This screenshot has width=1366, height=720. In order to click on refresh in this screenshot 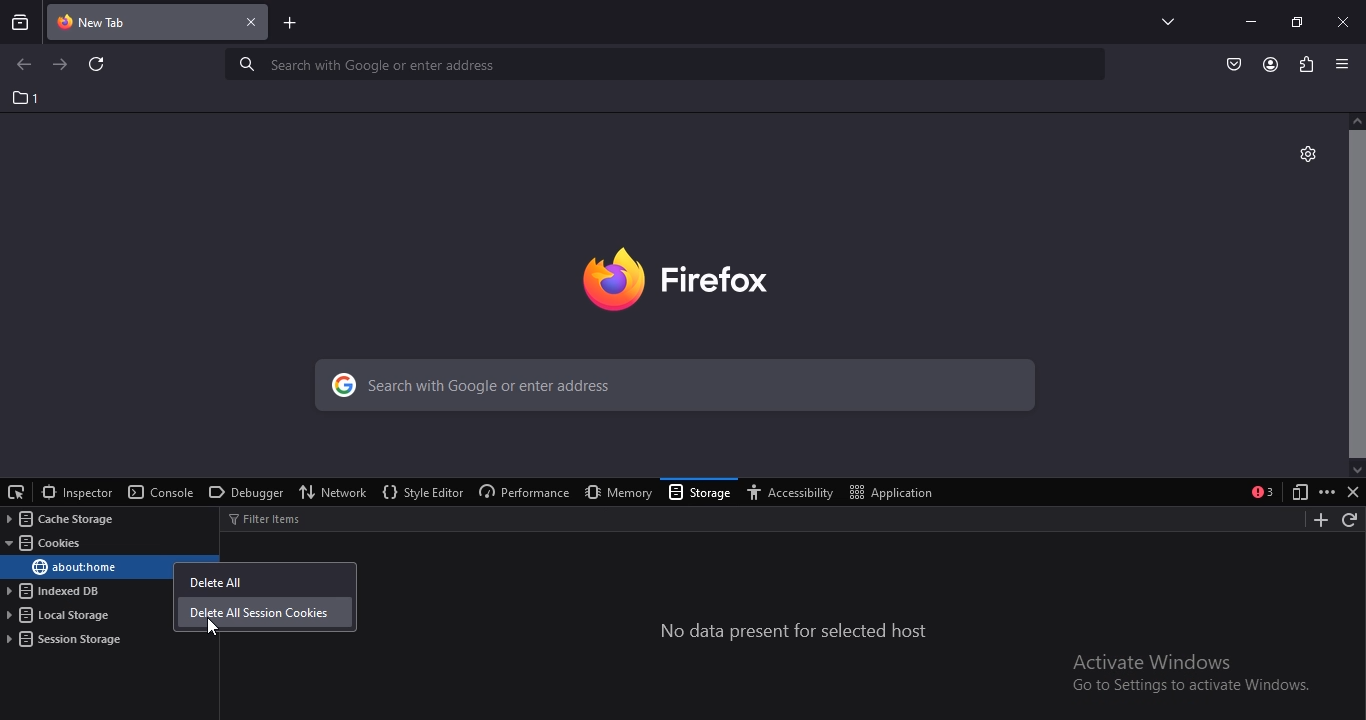, I will do `click(98, 66)`.